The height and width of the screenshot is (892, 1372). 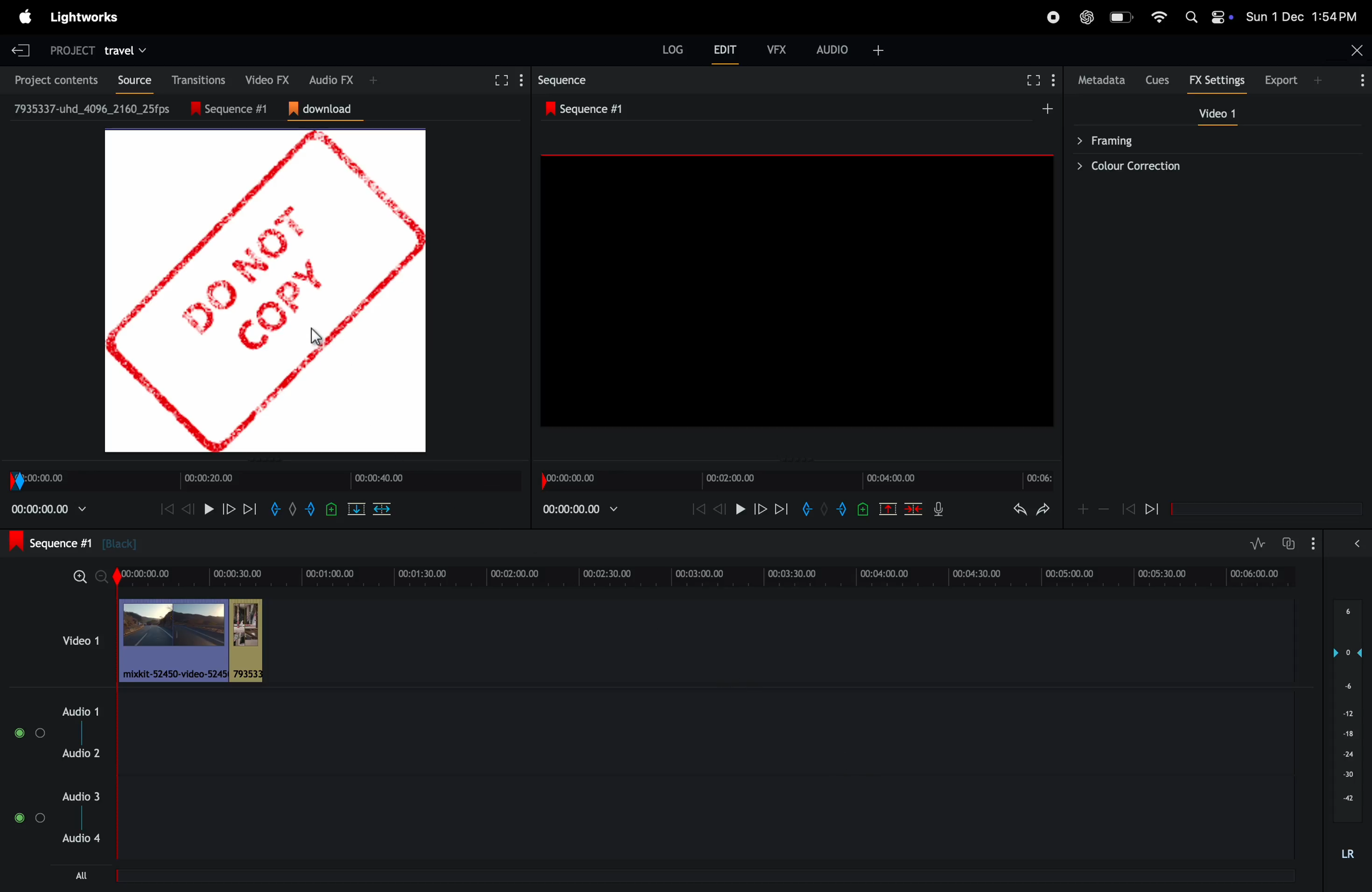 What do you see at coordinates (522, 80) in the screenshot?
I see `Settings` at bounding box center [522, 80].